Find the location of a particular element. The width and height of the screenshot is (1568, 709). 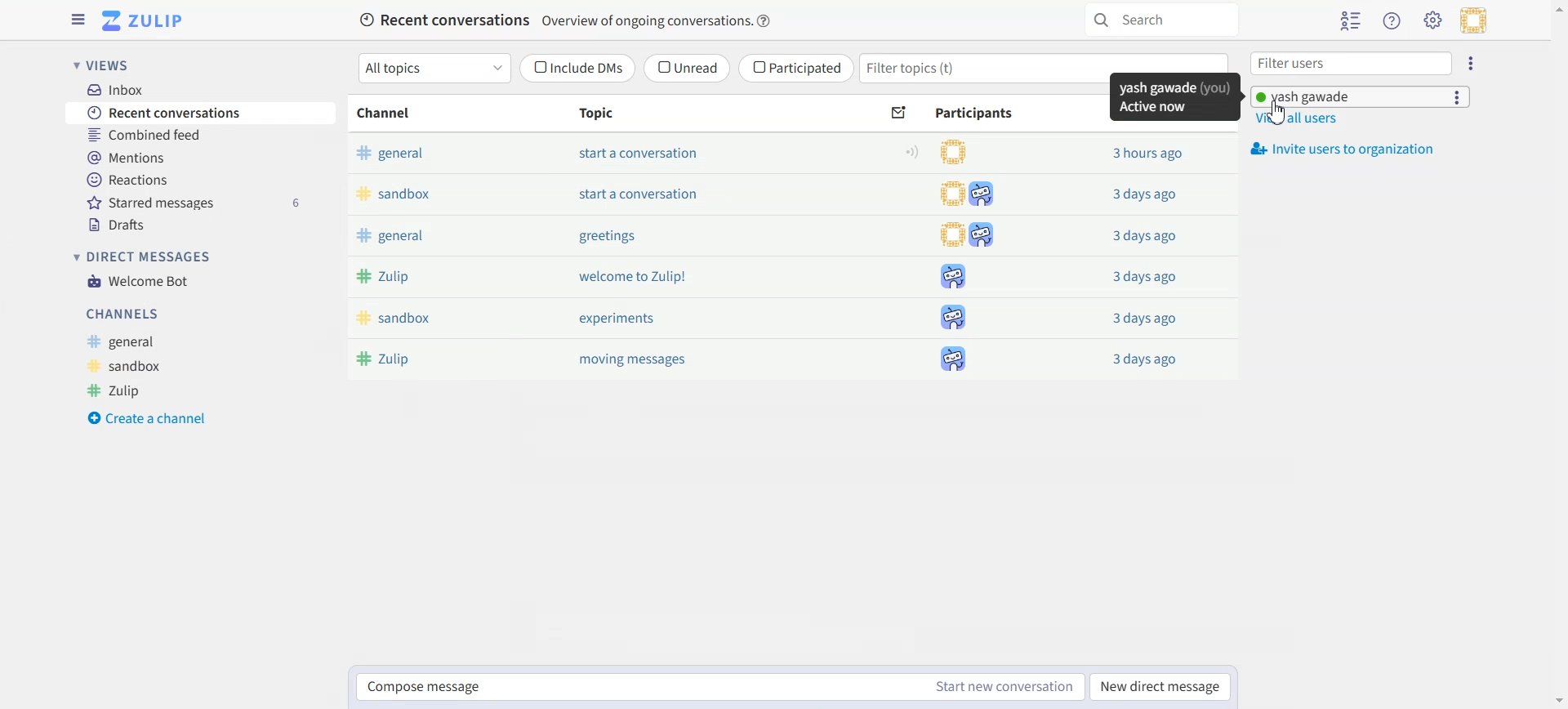

sandbox is located at coordinates (399, 194).